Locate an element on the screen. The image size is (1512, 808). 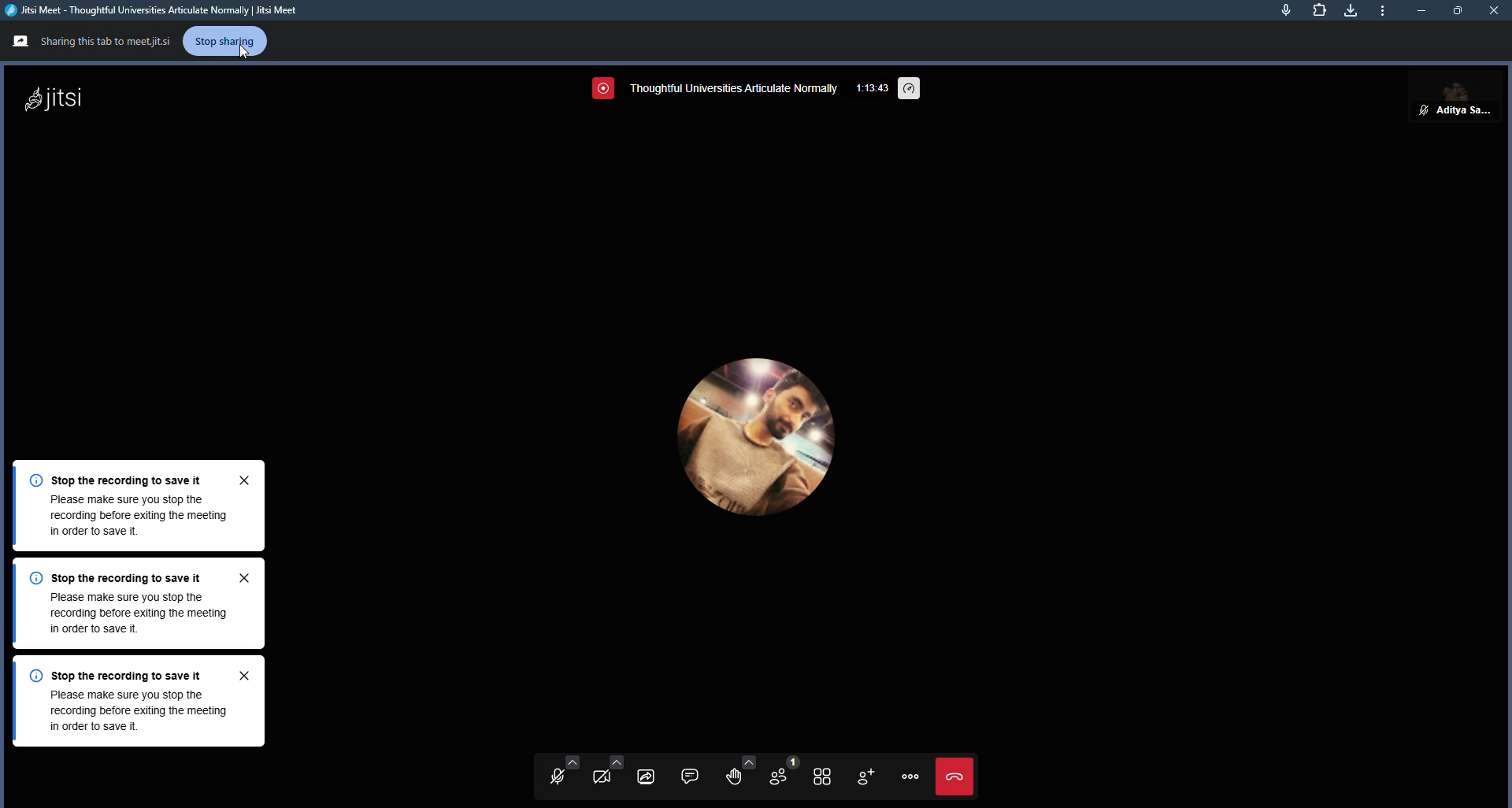
unmute mic is located at coordinates (560, 775).